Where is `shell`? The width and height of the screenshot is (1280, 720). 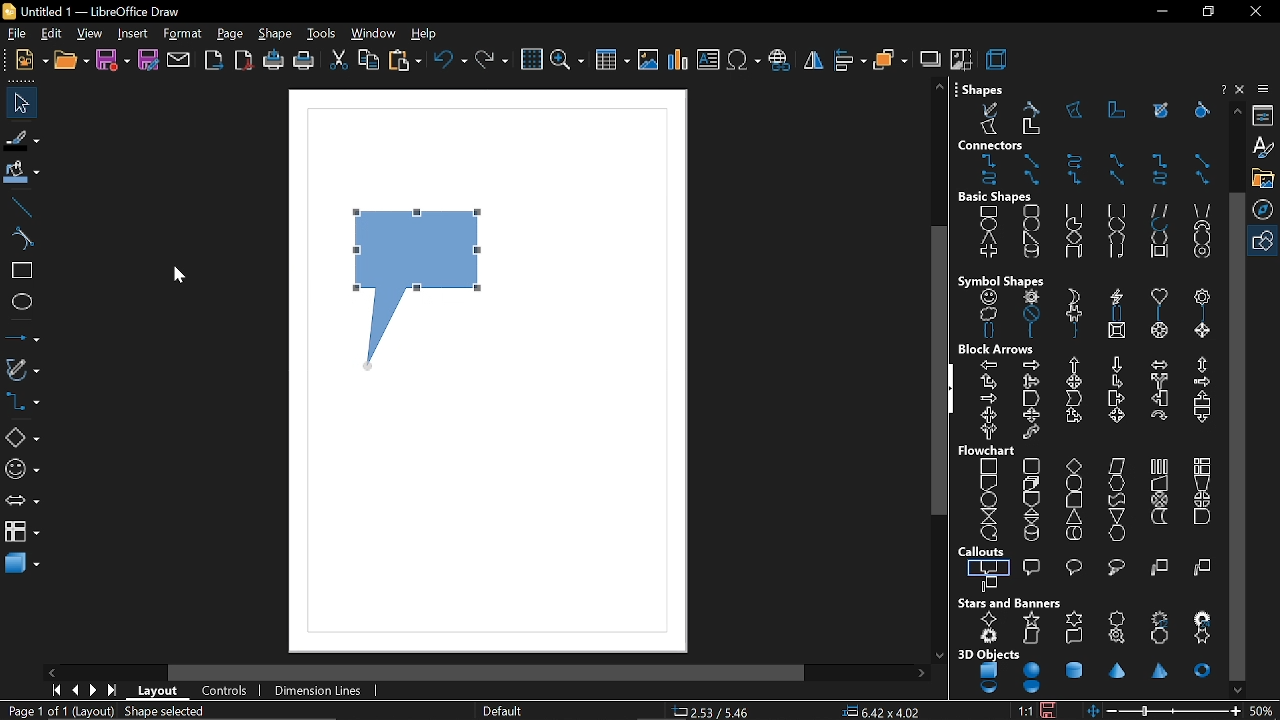
shell is located at coordinates (991, 688).